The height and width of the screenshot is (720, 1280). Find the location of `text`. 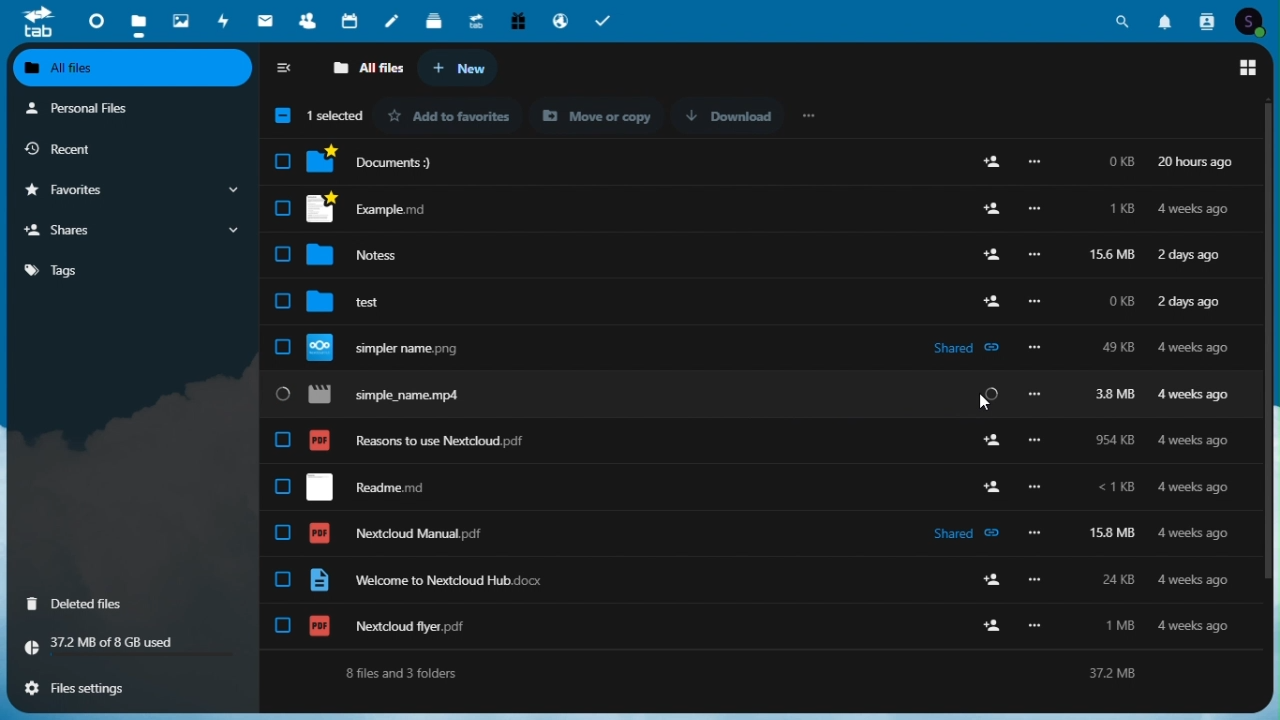

text is located at coordinates (591, 115).